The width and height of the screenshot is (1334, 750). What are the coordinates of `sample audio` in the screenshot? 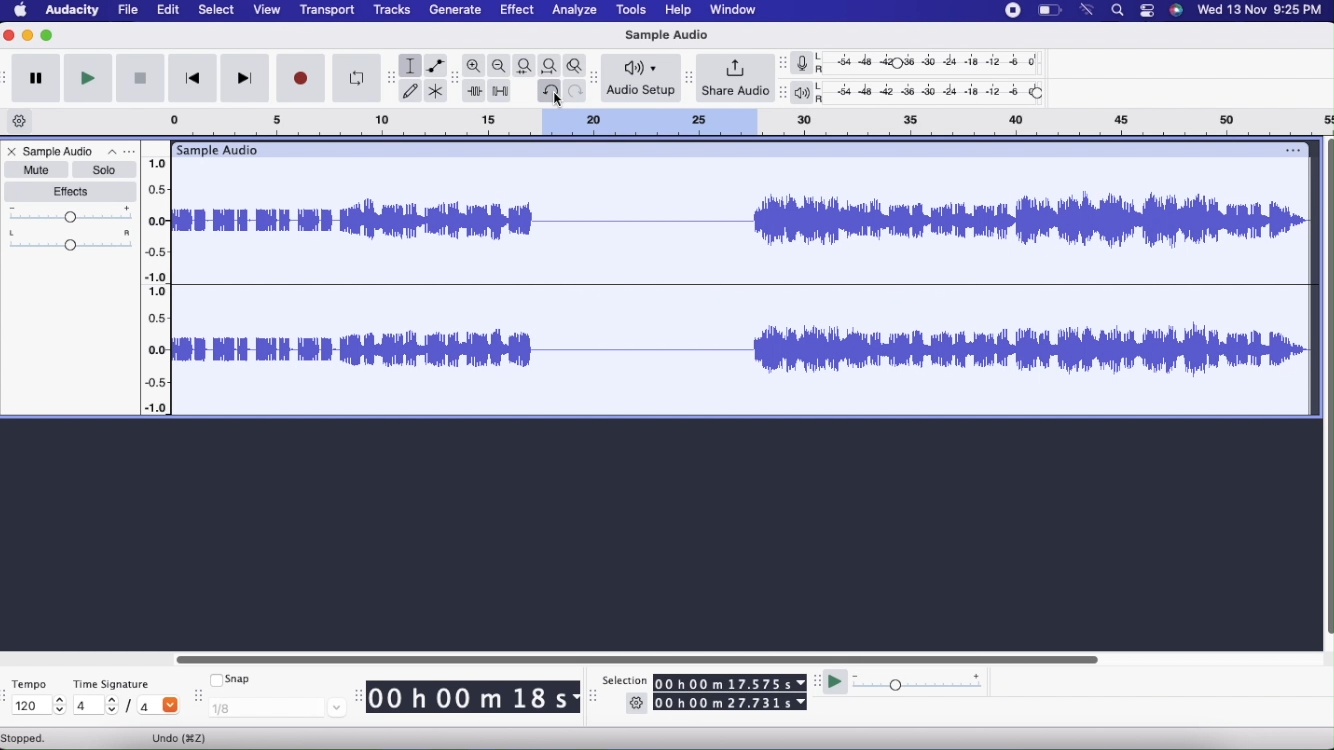 It's located at (224, 150).